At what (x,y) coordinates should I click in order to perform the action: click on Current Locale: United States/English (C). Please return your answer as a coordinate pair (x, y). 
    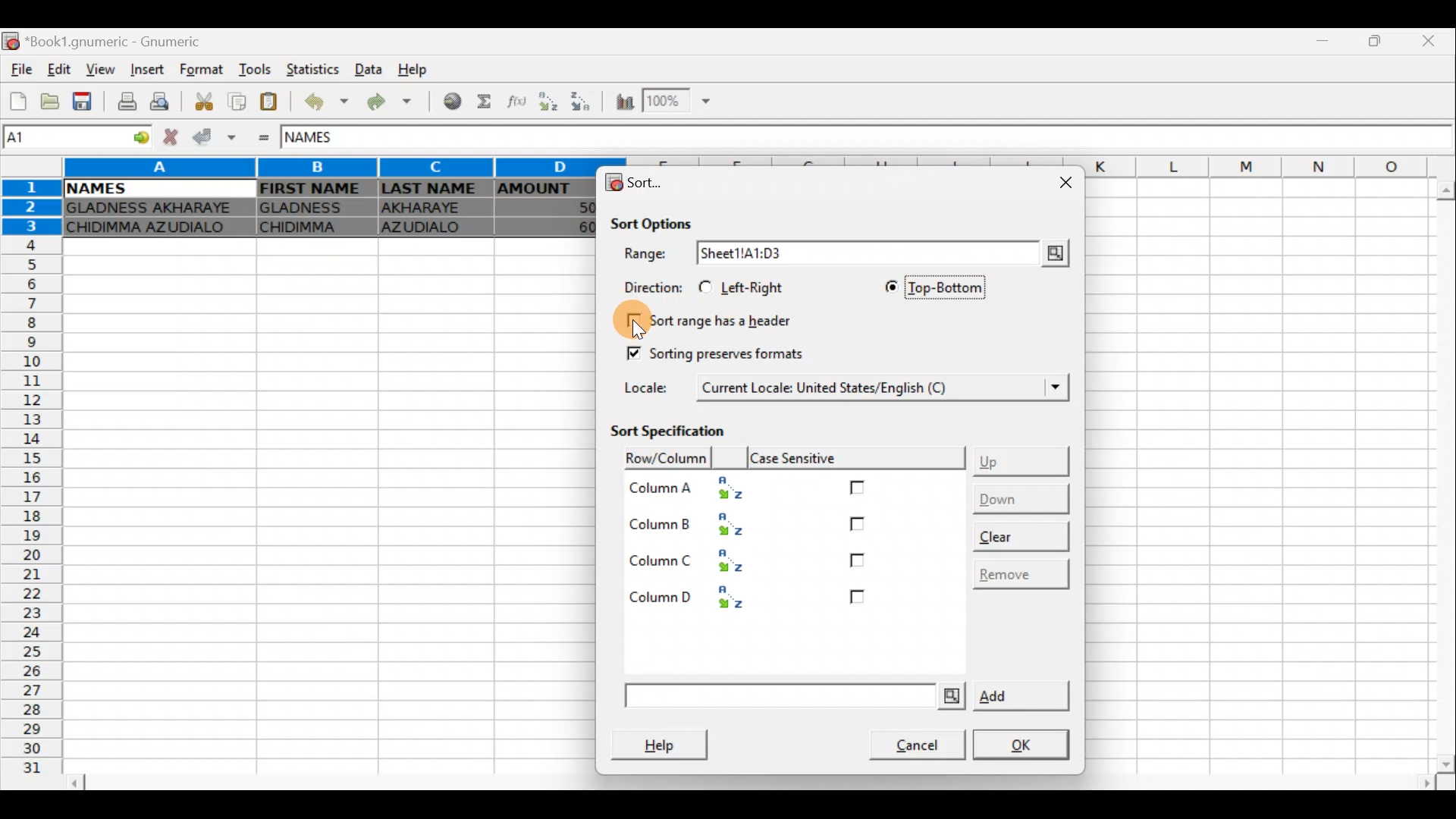
    Looking at the image, I should click on (827, 386).